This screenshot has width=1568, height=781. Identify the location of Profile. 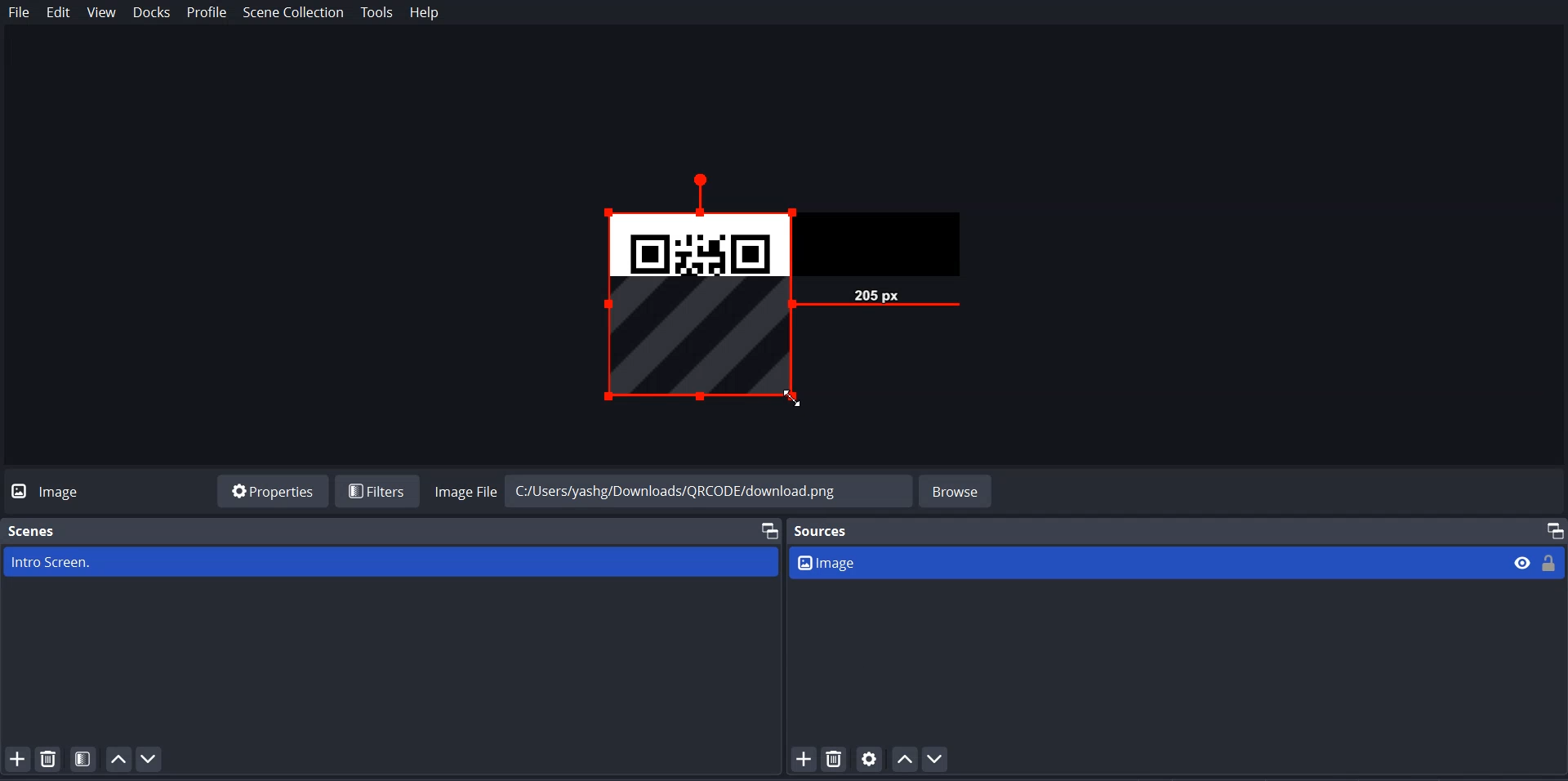
(207, 13).